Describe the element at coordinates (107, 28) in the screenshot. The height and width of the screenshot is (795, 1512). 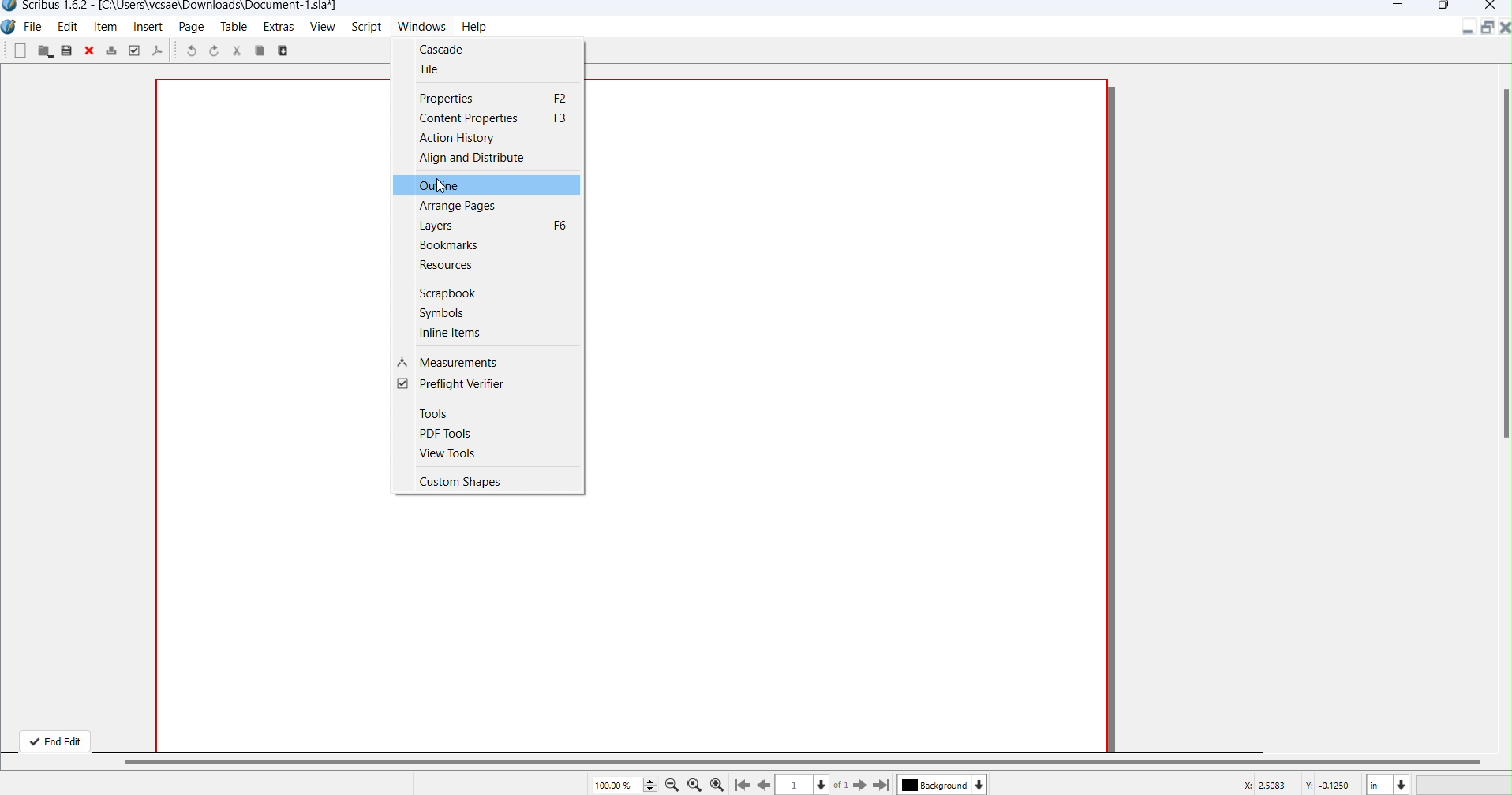
I see `` at that location.